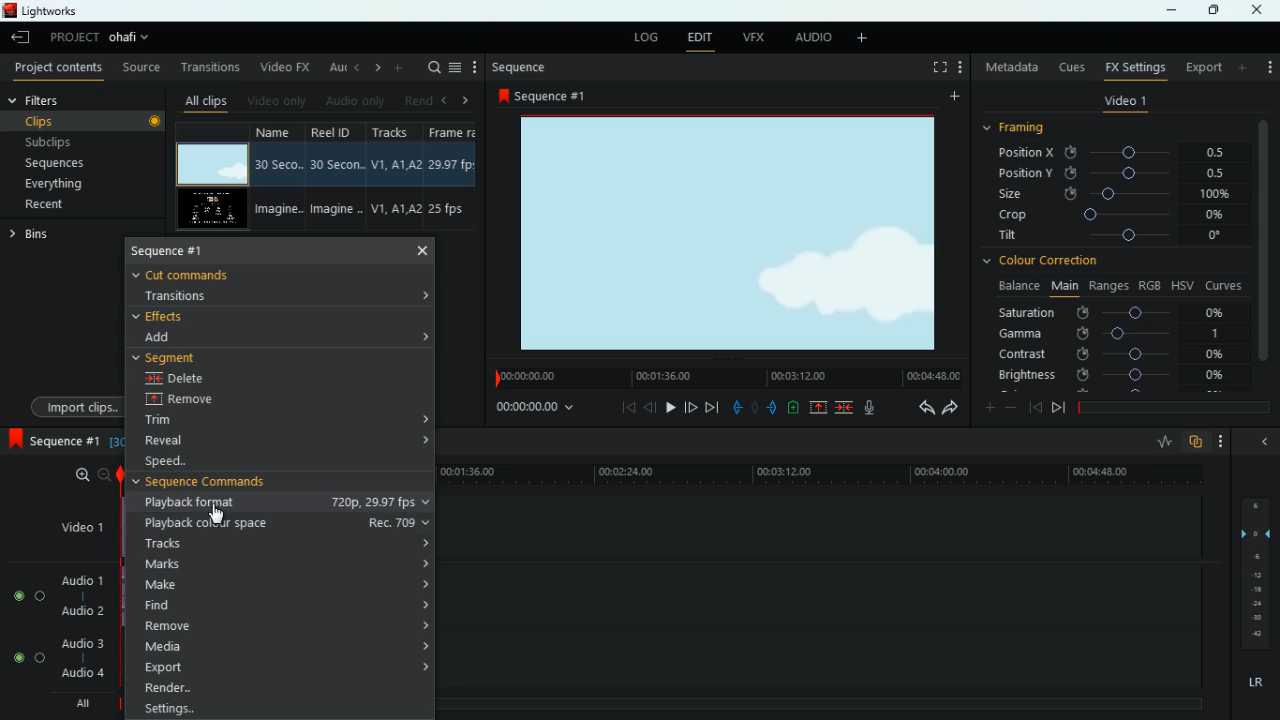  I want to click on hold, so click(755, 408).